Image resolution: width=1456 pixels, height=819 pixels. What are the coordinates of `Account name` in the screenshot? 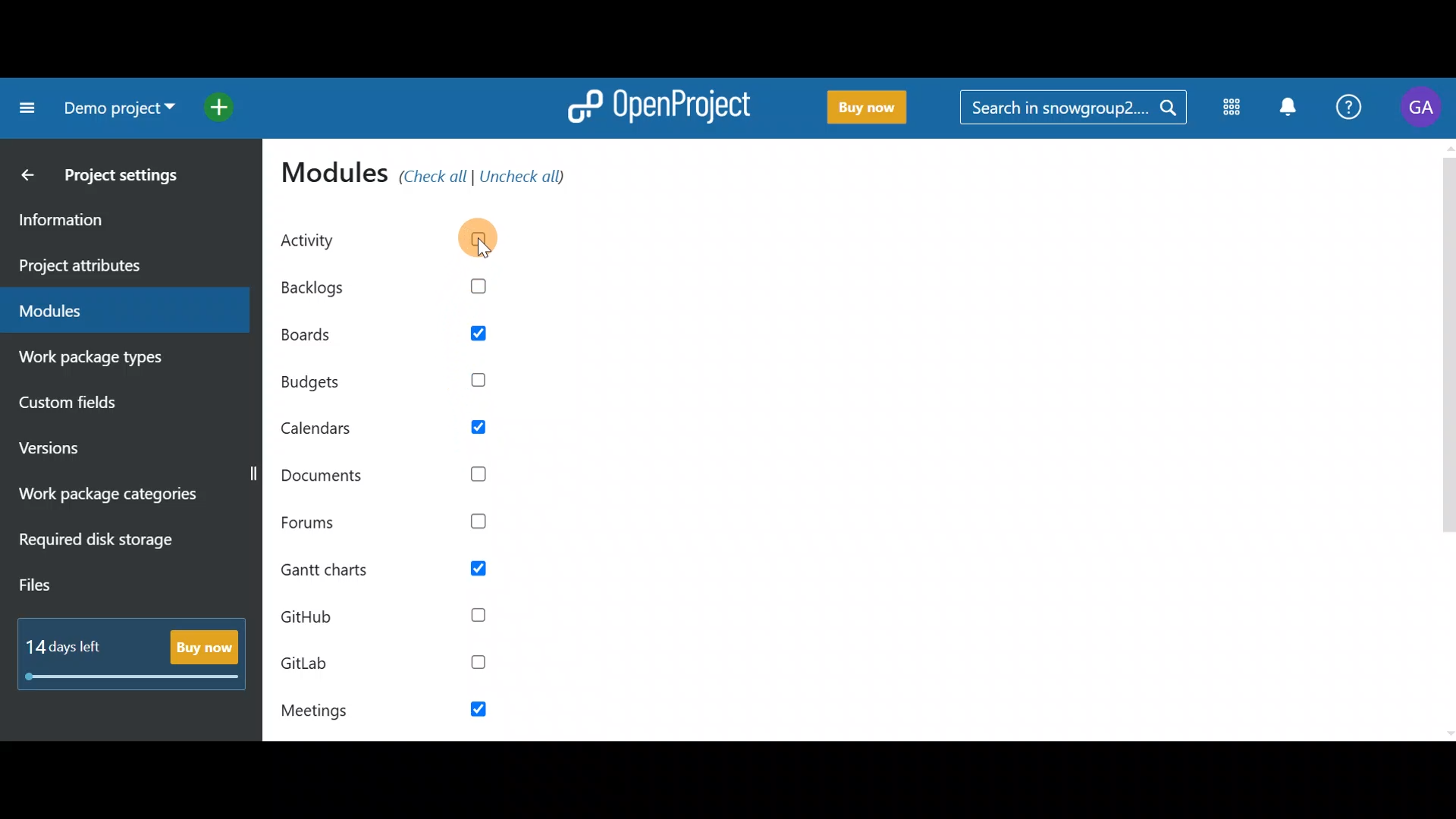 It's located at (1419, 111).